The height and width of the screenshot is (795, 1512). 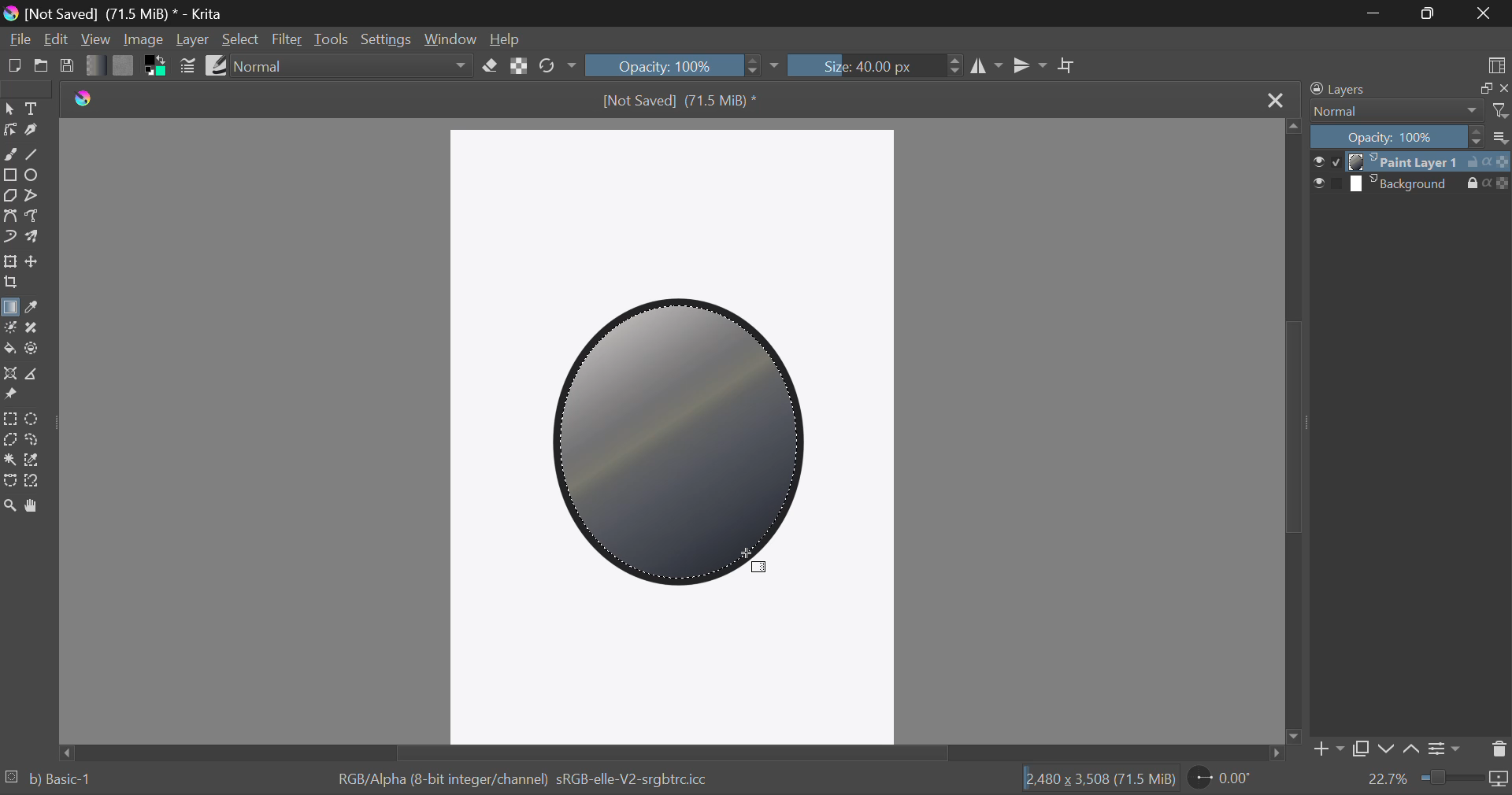 I want to click on checkbox, so click(x=1329, y=183).